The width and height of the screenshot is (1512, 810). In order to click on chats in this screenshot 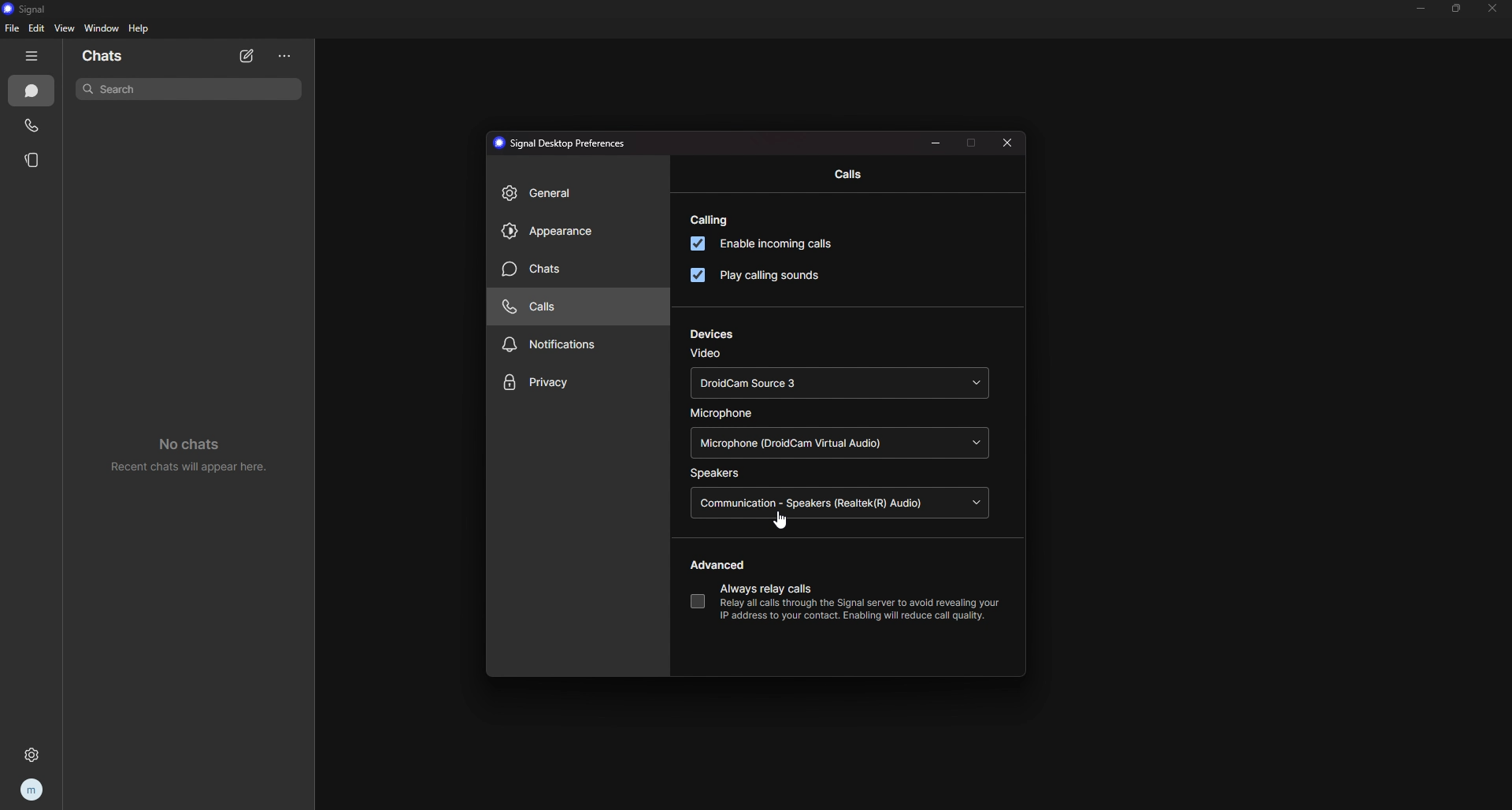, I will do `click(32, 91)`.